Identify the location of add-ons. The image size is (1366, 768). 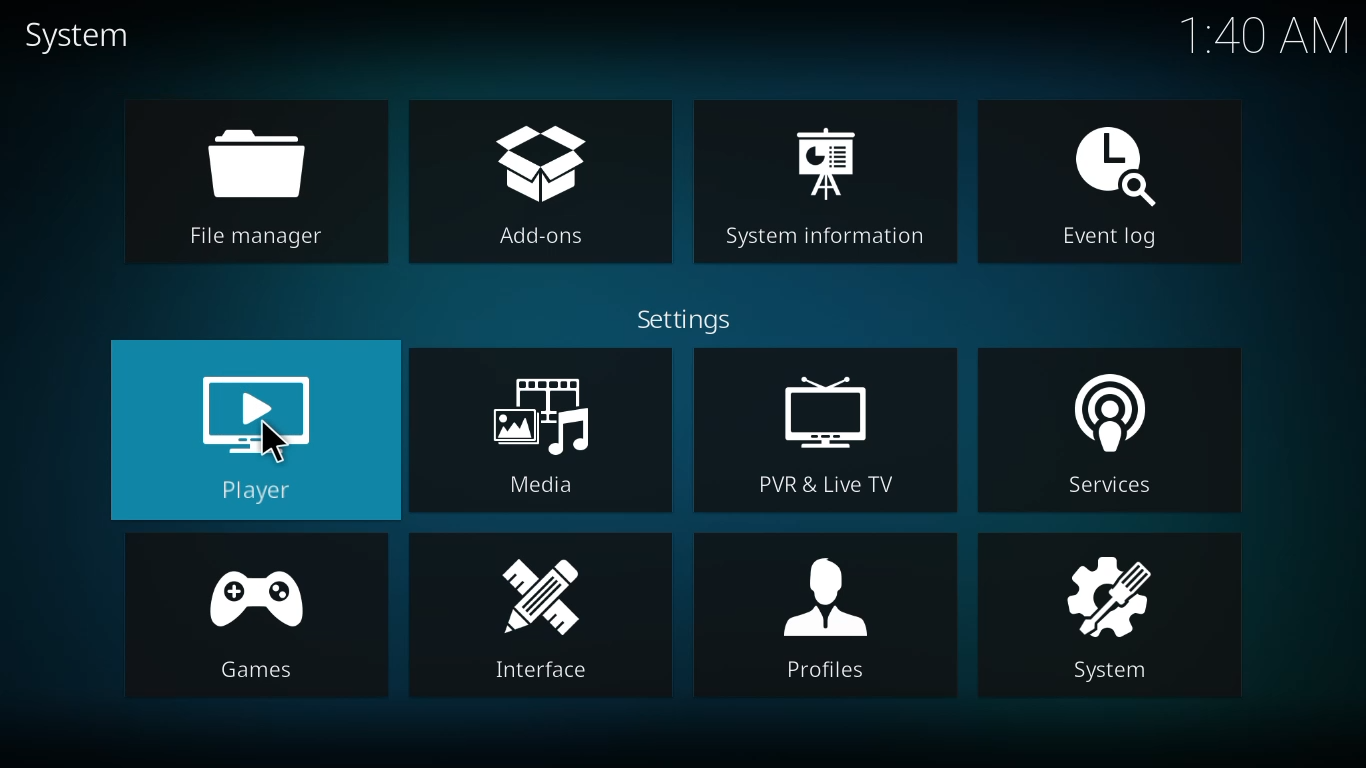
(544, 184).